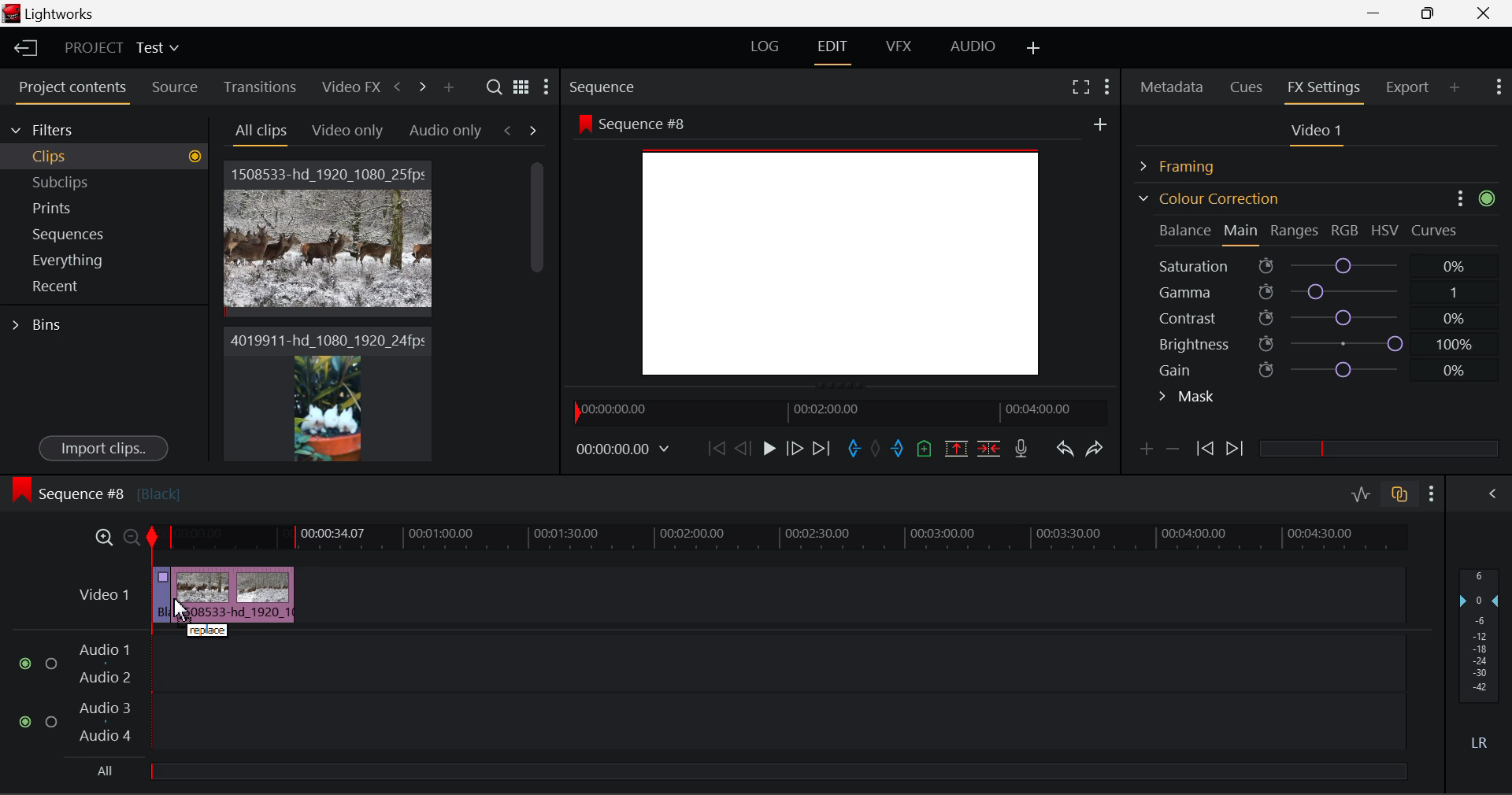 The height and width of the screenshot is (795, 1512). What do you see at coordinates (1346, 231) in the screenshot?
I see `RGB` at bounding box center [1346, 231].